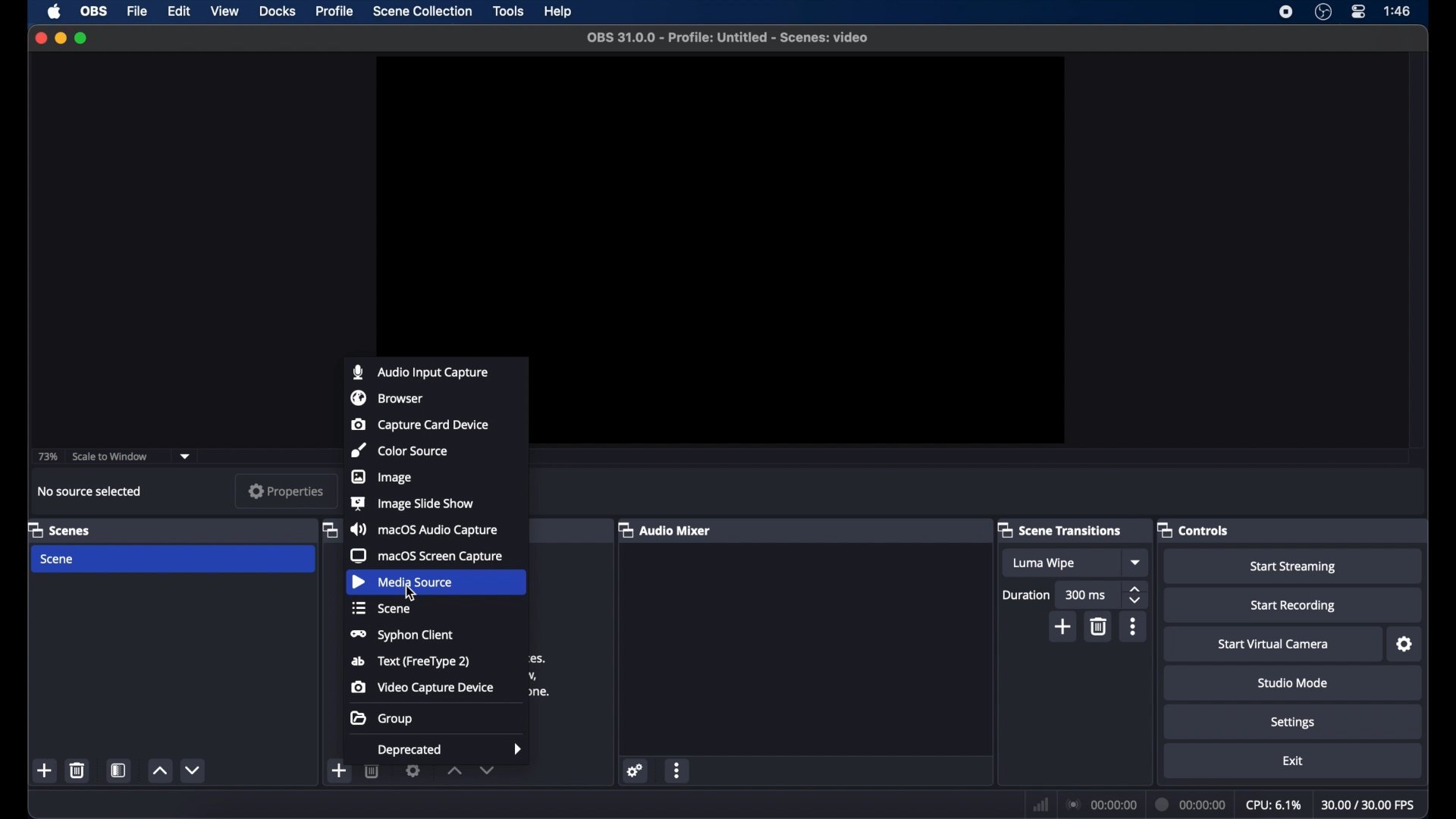 The height and width of the screenshot is (819, 1456). Describe the element at coordinates (424, 11) in the screenshot. I see `scene collection` at that location.